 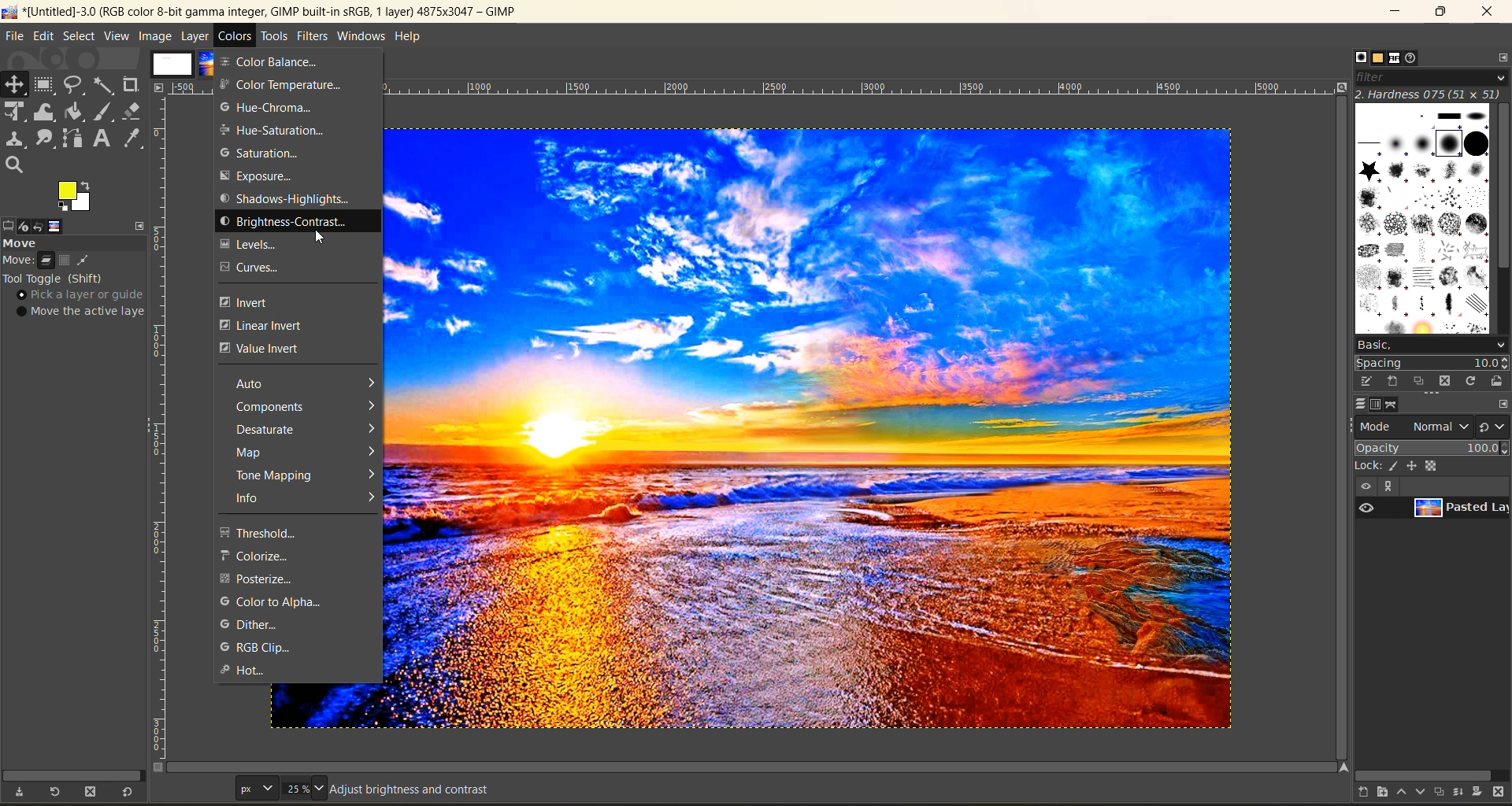 What do you see at coordinates (1366, 507) in the screenshot?
I see `preview` at bounding box center [1366, 507].